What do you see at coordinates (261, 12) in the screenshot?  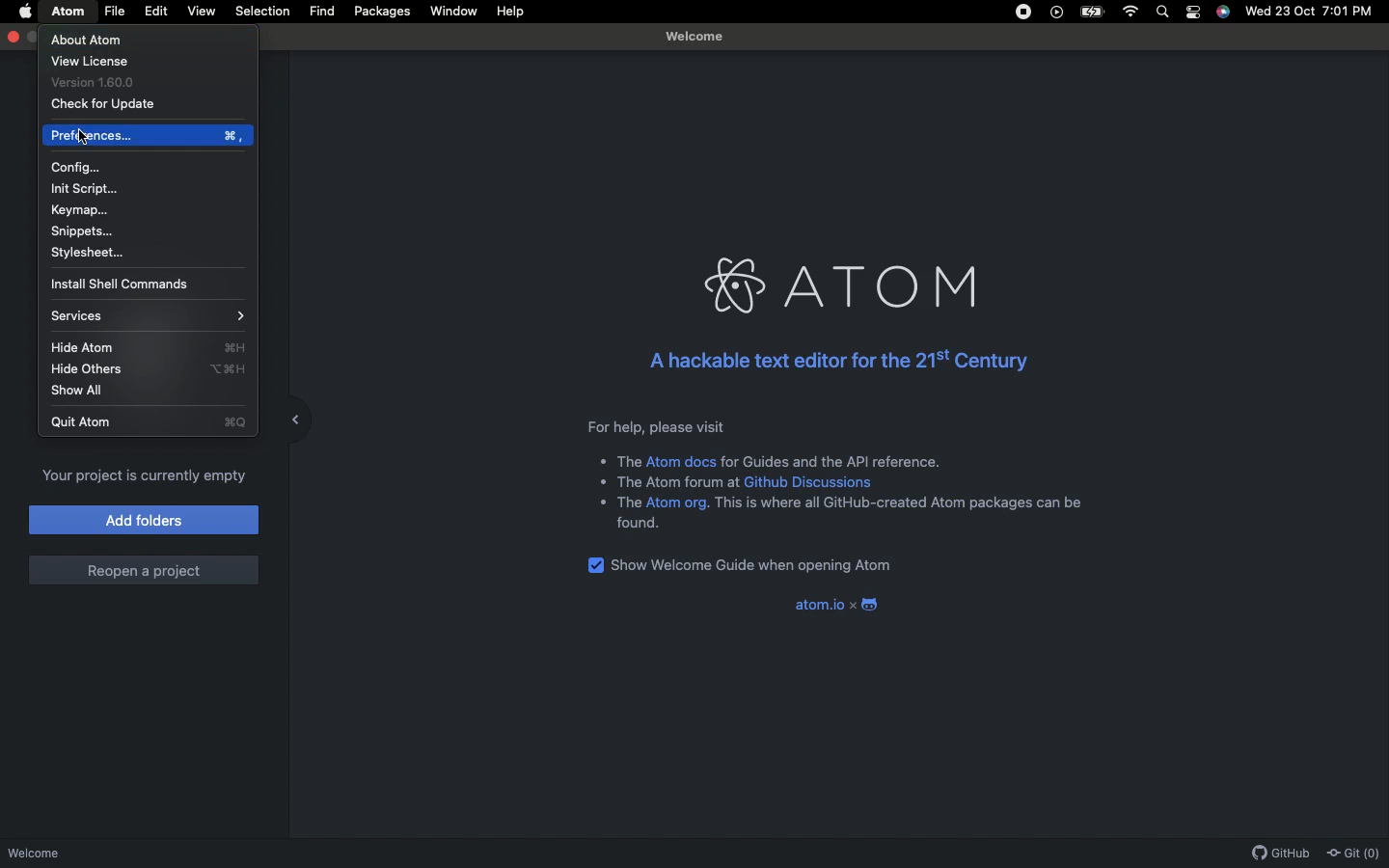 I see `Selection` at bounding box center [261, 12].